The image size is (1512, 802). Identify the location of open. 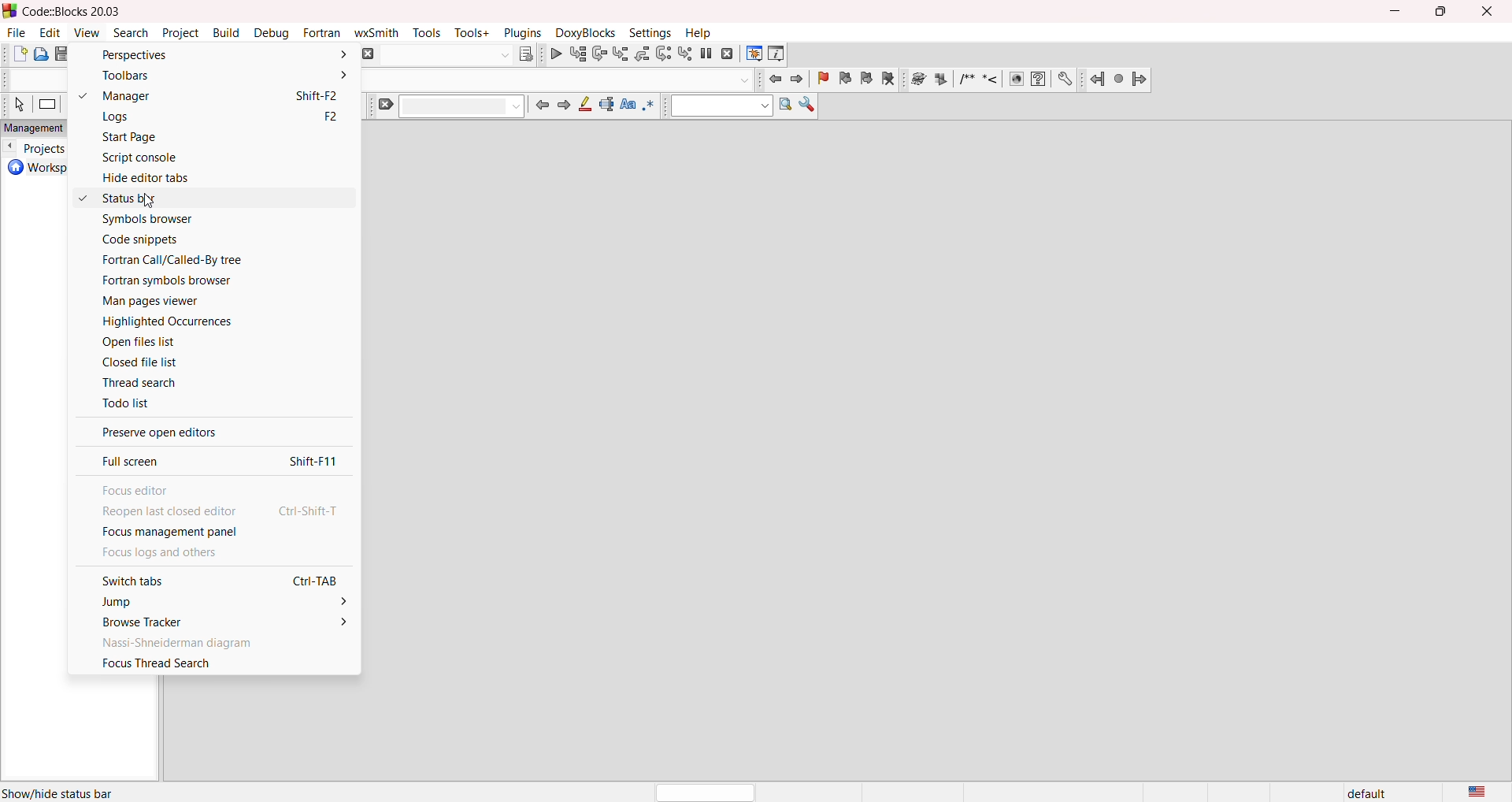
(42, 54).